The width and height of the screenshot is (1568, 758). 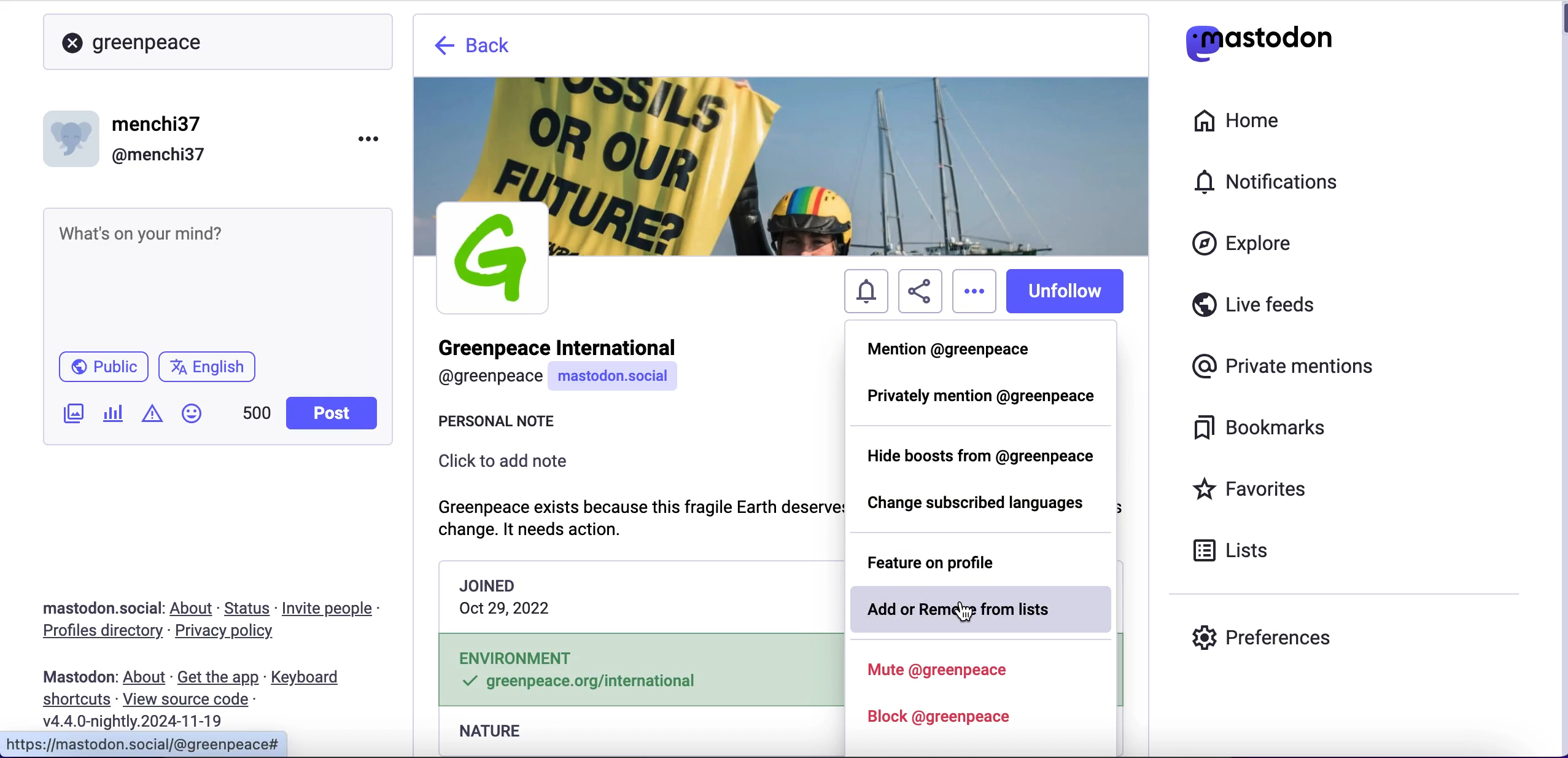 I want to click on get the app, so click(x=217, y=677).